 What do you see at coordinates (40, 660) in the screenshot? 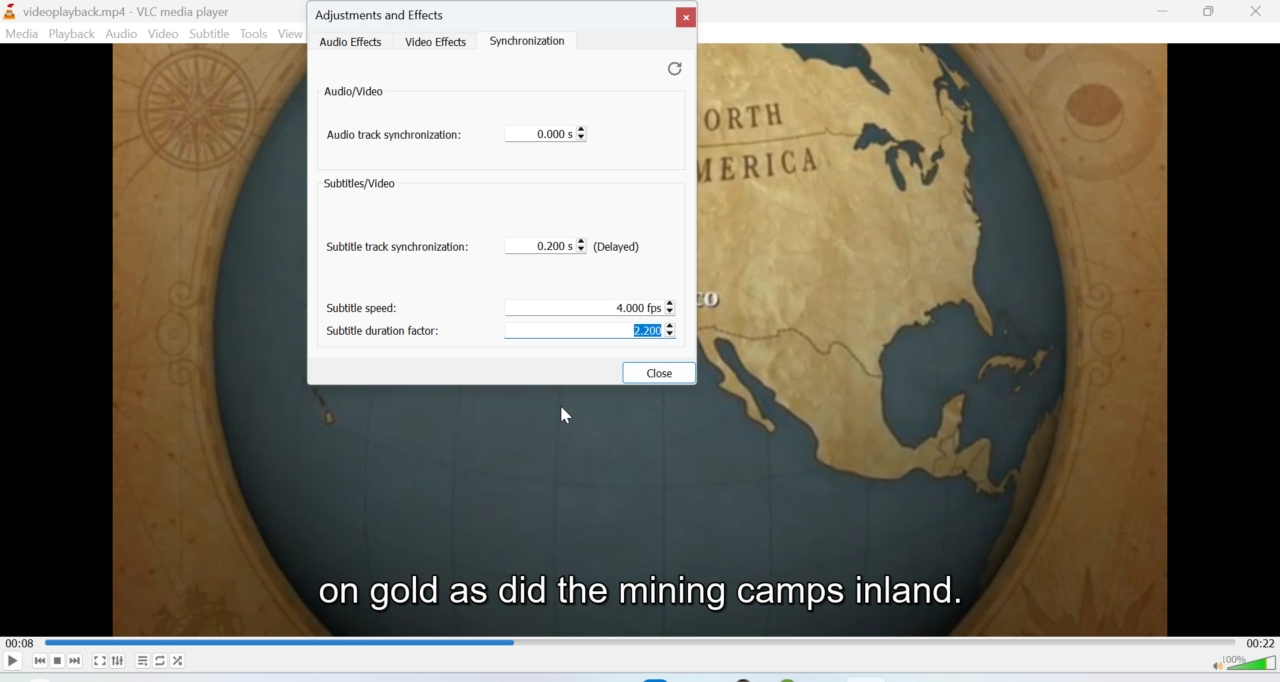
I see `Seek backwards` at bounding box center [40, 660].